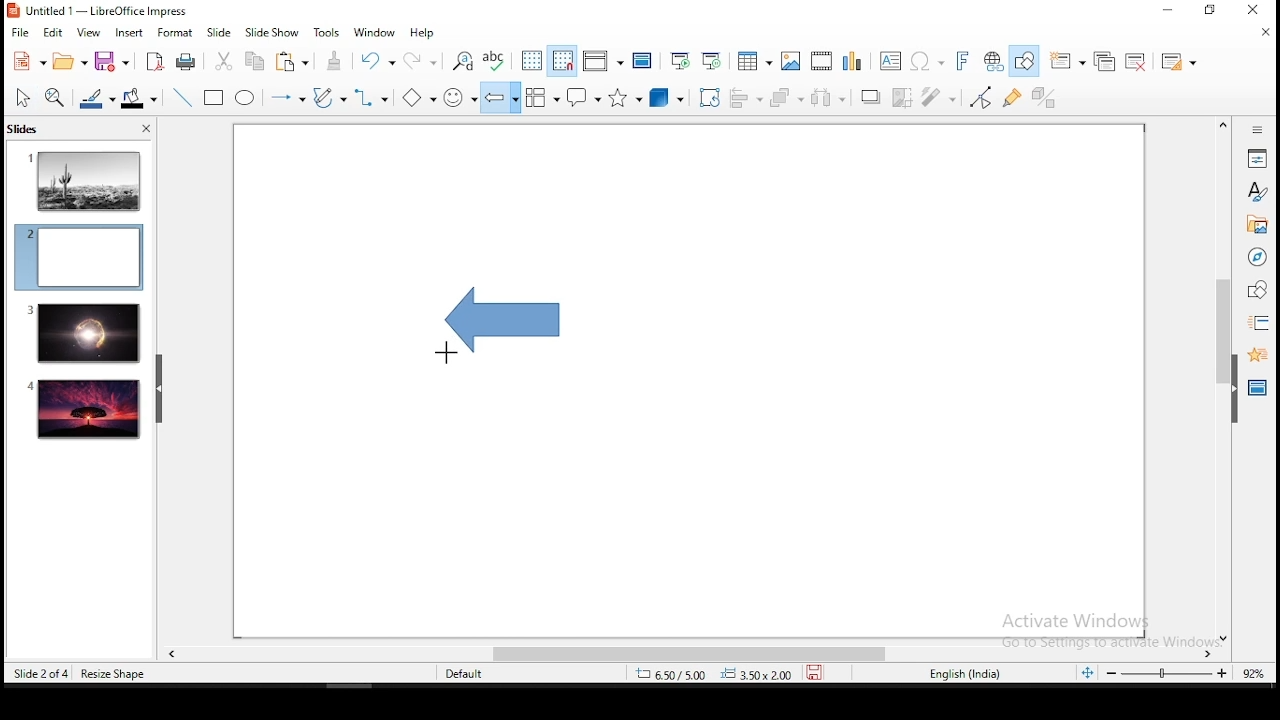 The width and height of the screenshot is (1280, 720). I want to click on copy, so click(252, 61).